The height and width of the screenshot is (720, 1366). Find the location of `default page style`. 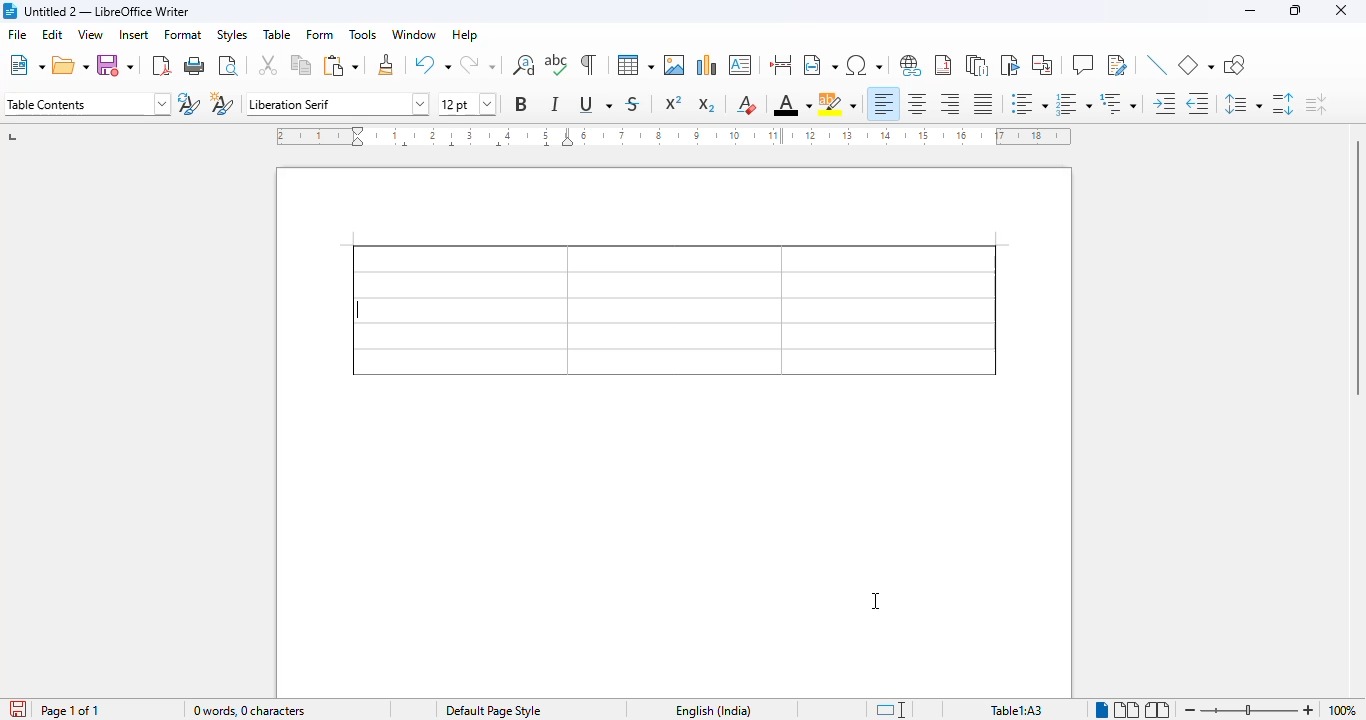

default page style is located at coordinates (494, 711).